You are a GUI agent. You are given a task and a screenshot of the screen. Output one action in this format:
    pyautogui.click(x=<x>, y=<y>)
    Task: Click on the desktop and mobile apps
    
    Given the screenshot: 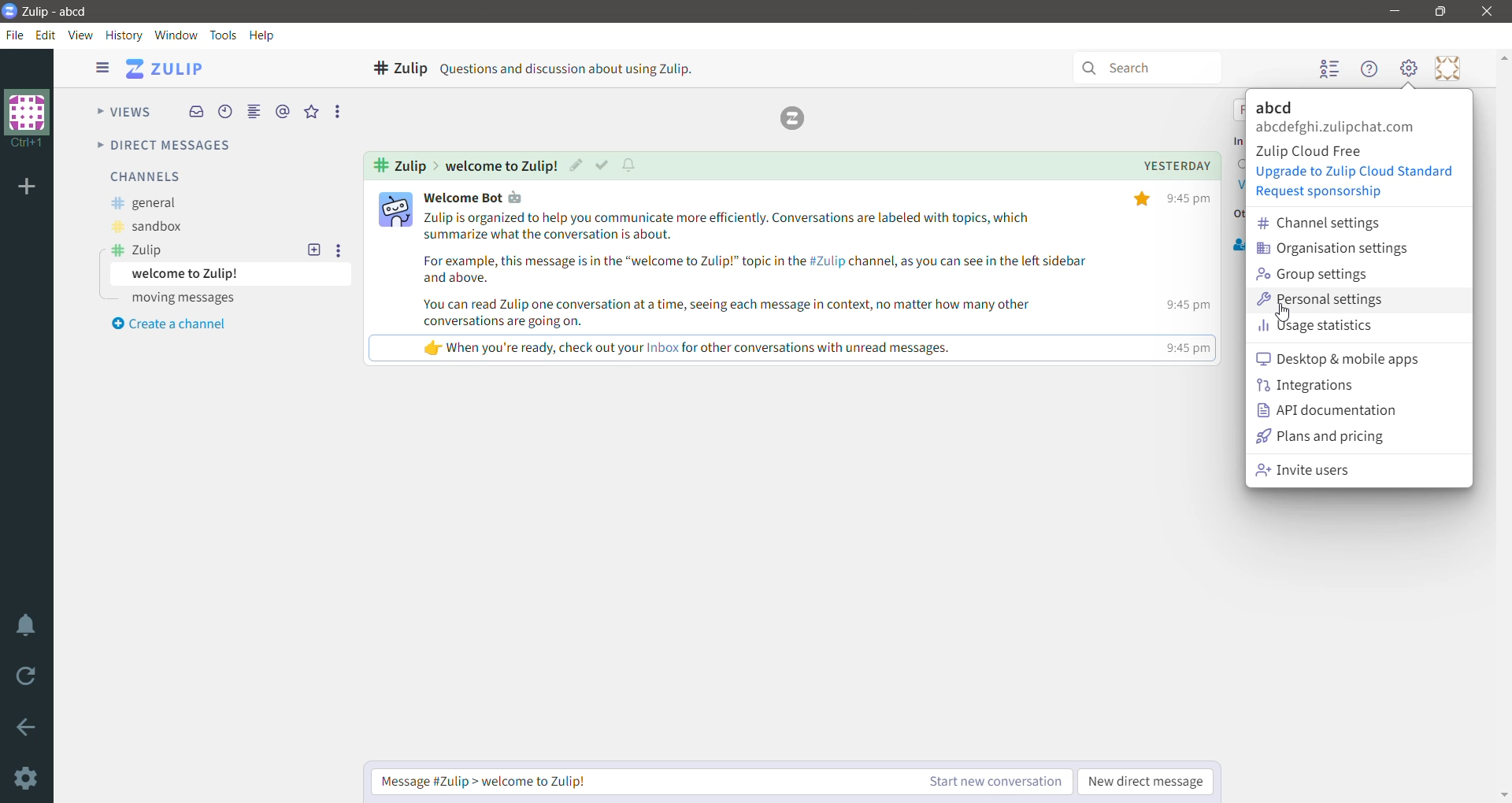 What is the action you would take?
    pyautogui.click(x=1340, y=359)
    